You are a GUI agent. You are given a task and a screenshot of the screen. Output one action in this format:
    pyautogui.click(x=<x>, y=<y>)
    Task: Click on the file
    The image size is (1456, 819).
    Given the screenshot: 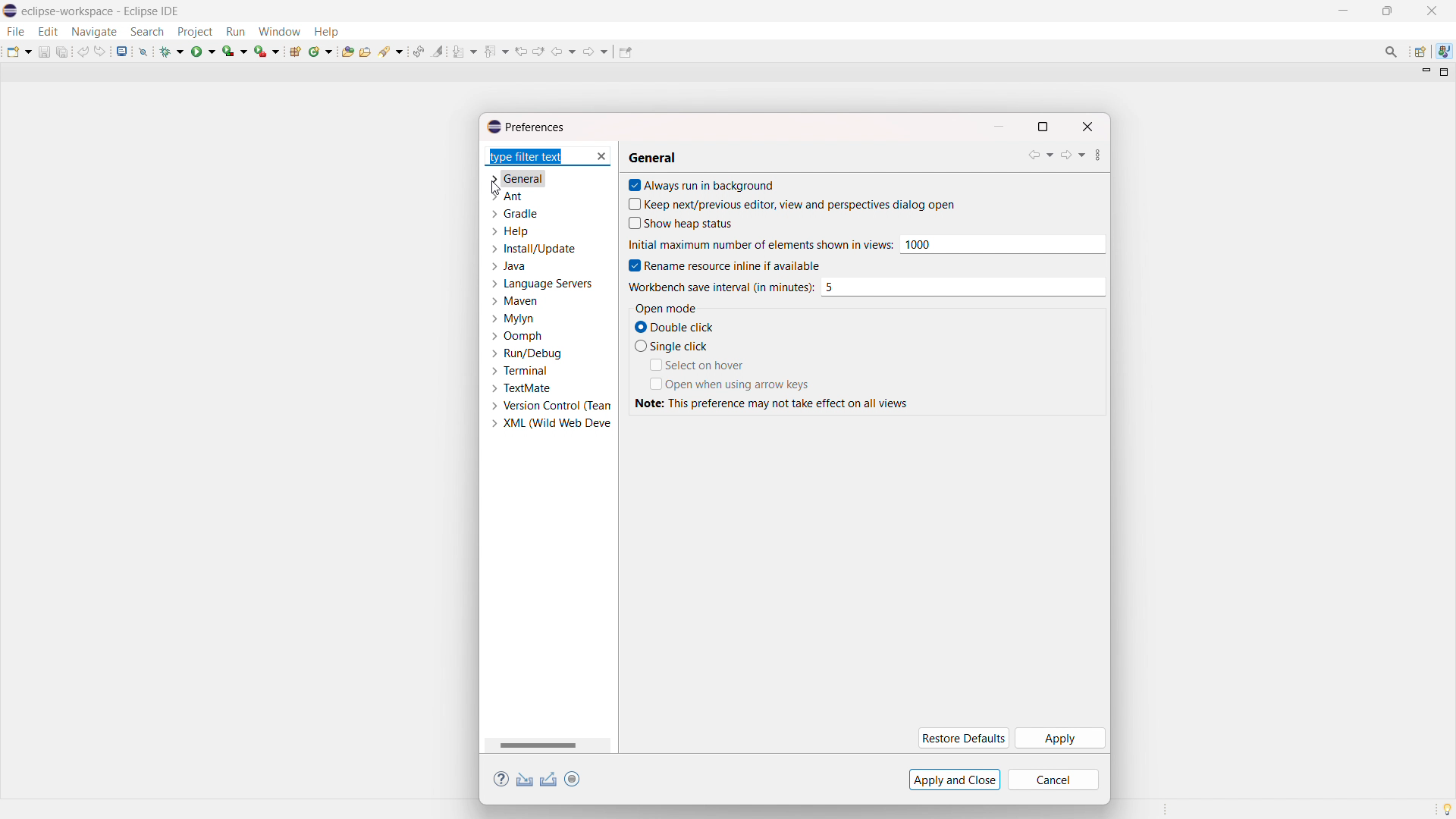 What is the action you would take?
    pyautogui.click(x=14, y=31)
    